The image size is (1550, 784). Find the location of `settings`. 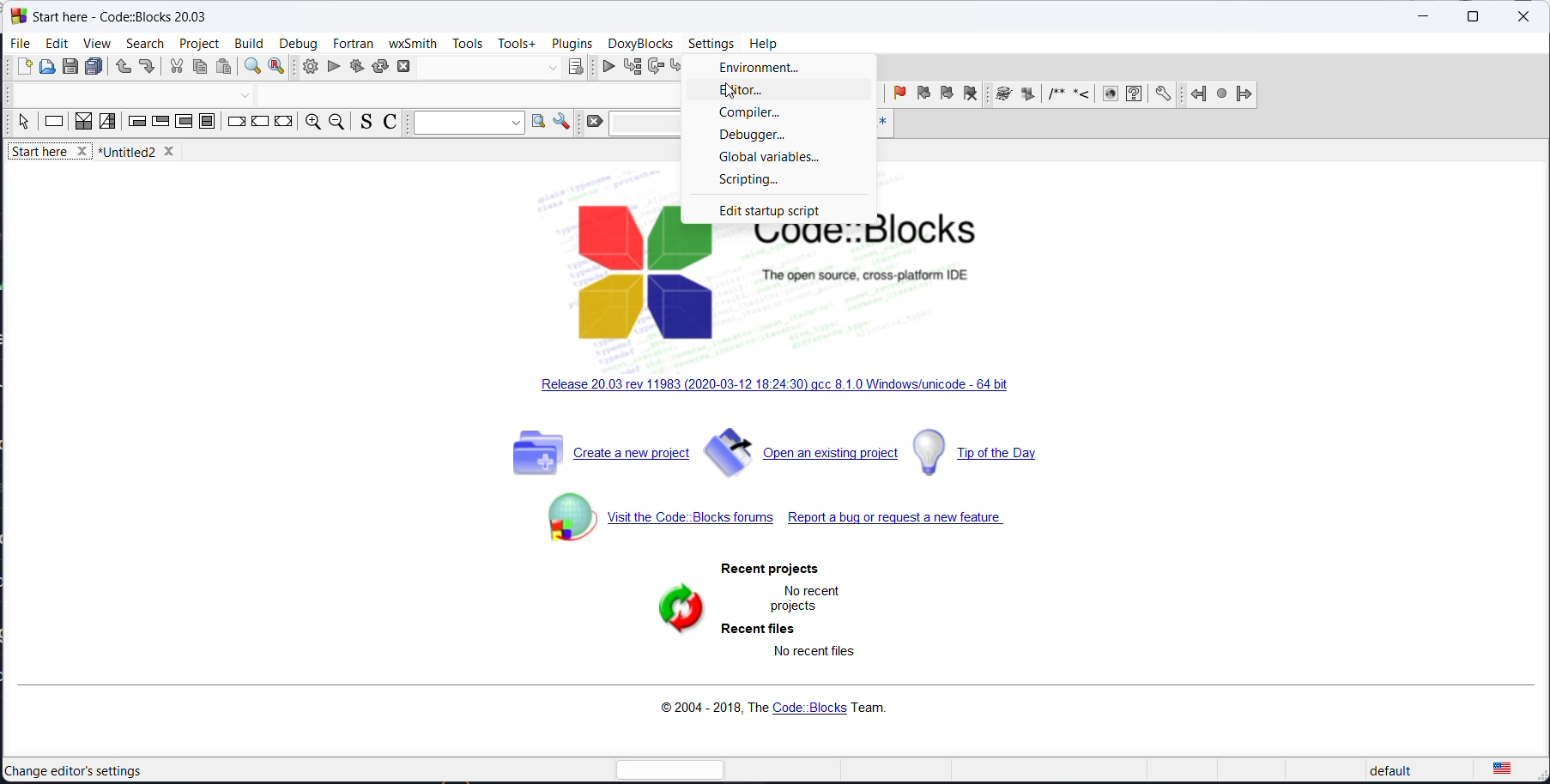

settings is located at coordinates (713, 44).